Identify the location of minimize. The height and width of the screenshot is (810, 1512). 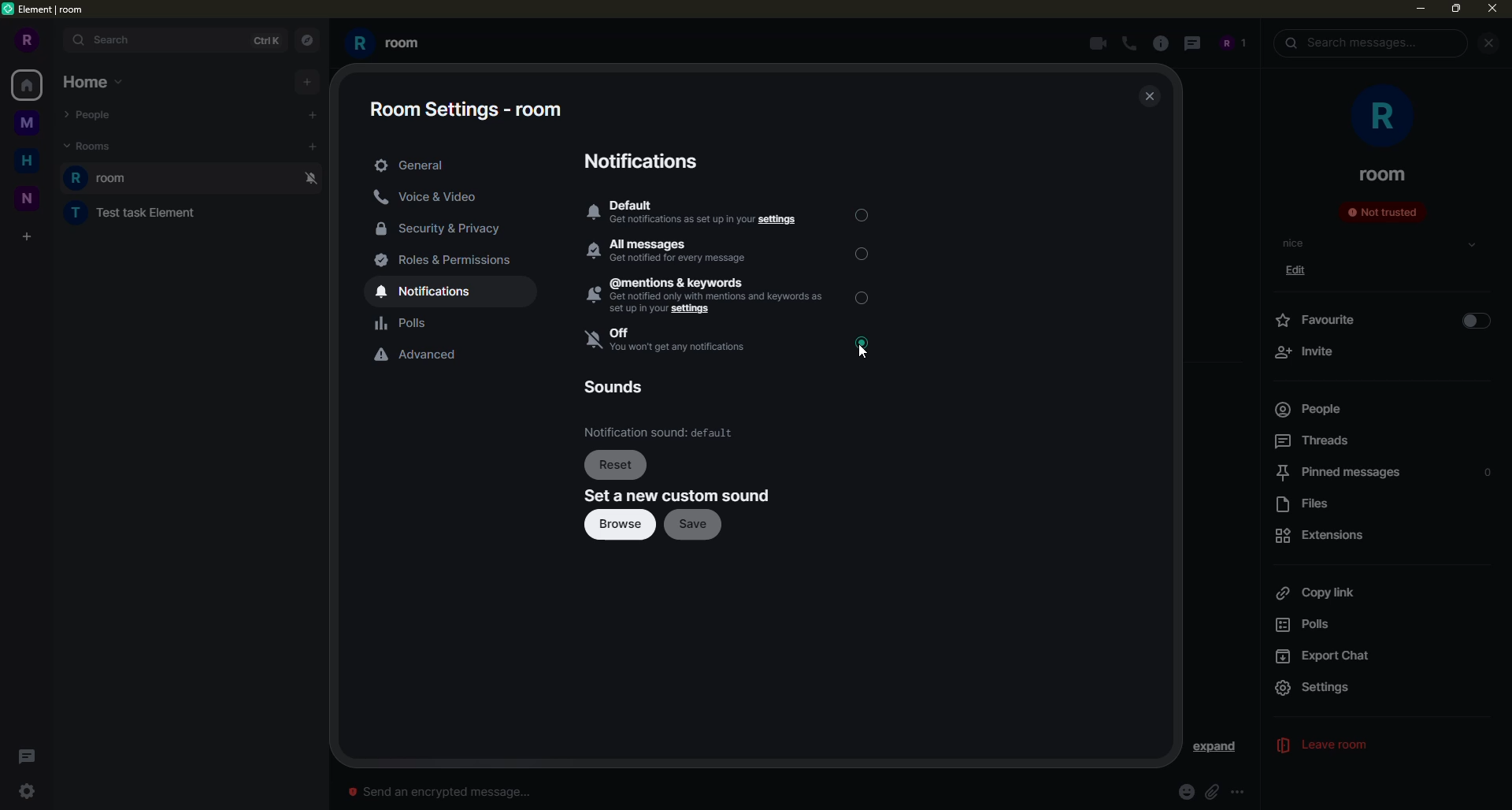
(1420, 12).